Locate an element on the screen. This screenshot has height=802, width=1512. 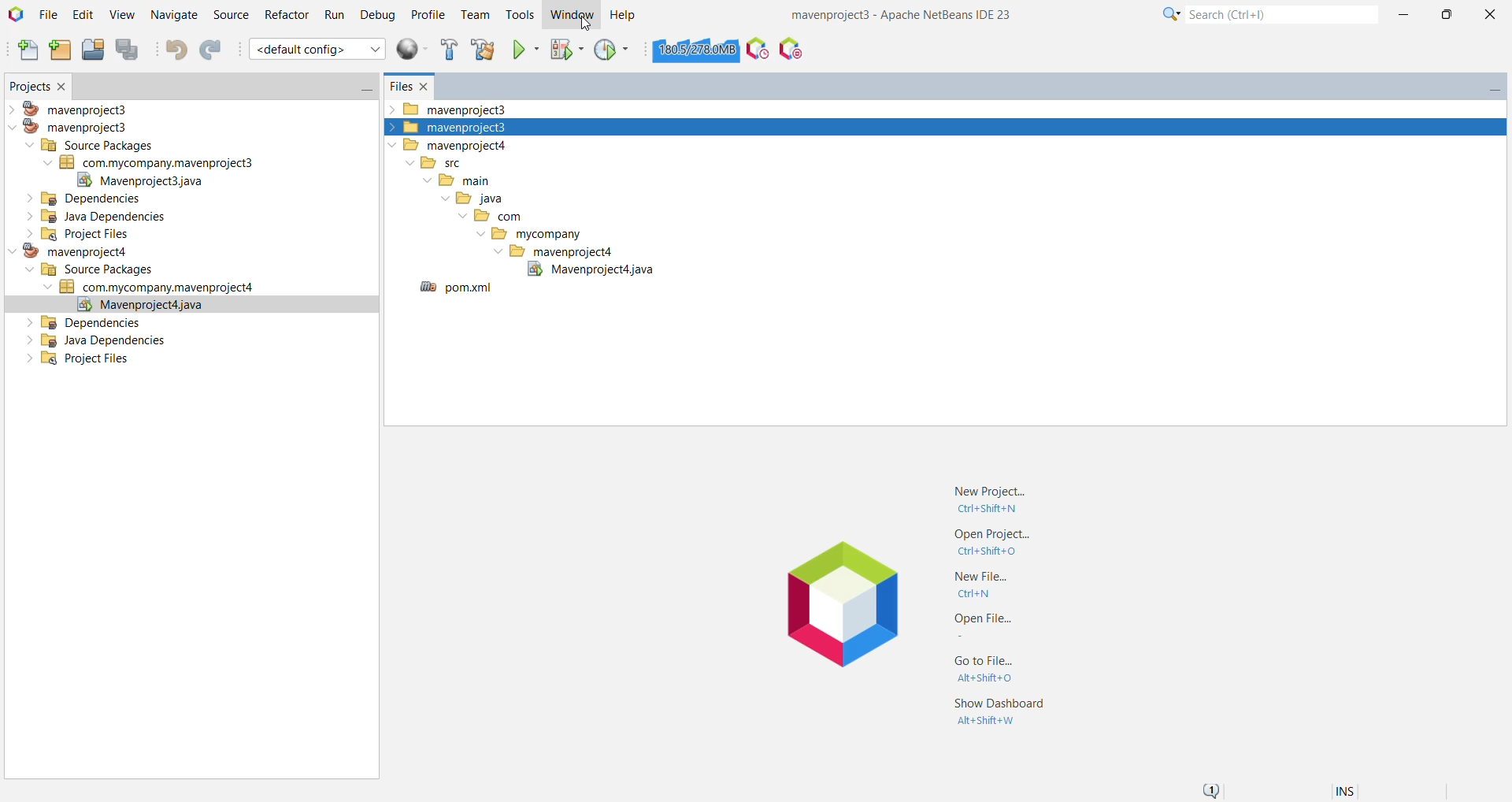
Run is located at coordinates (333, 16).